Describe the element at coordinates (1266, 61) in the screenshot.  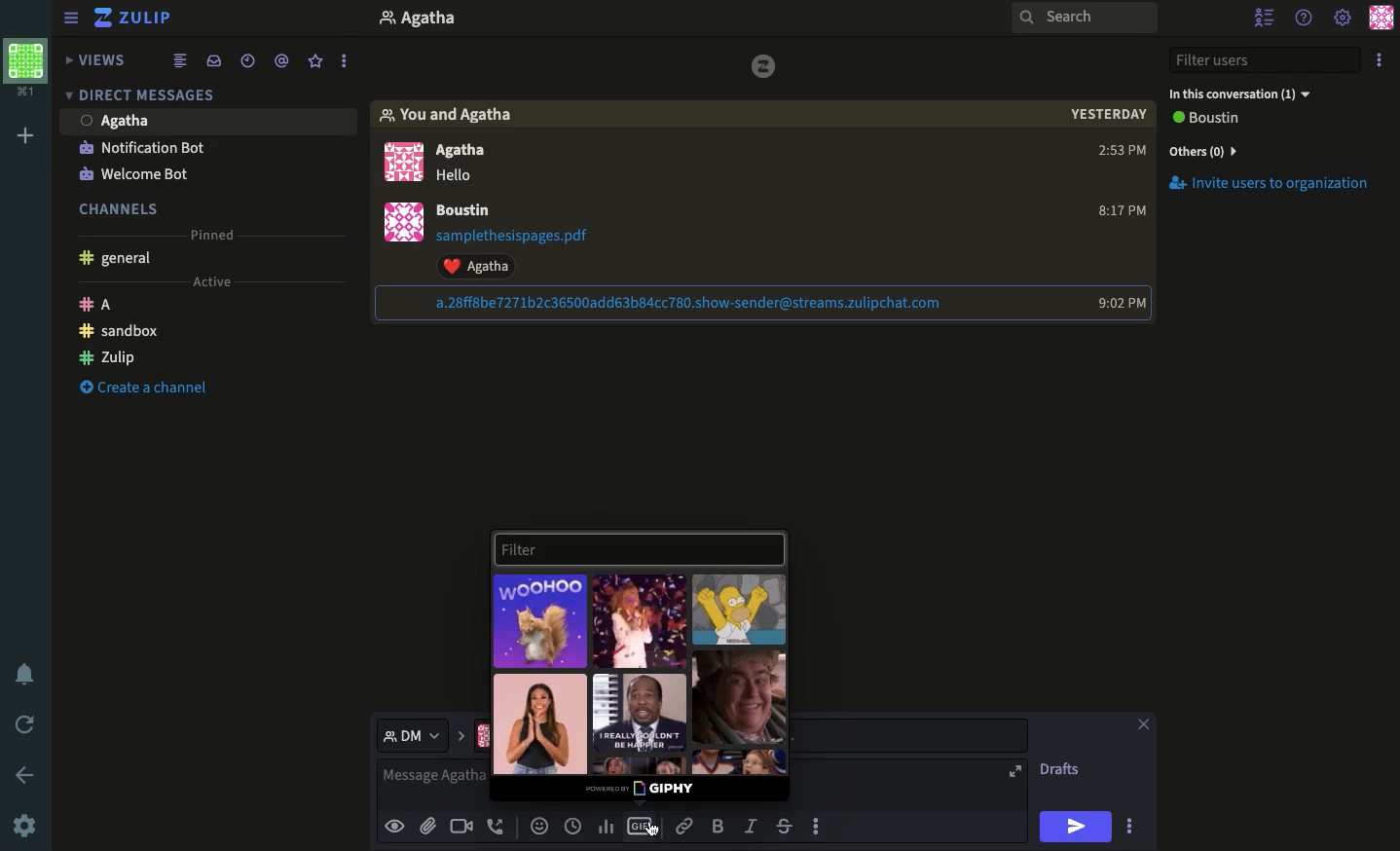
I see `Filter users` at that location.